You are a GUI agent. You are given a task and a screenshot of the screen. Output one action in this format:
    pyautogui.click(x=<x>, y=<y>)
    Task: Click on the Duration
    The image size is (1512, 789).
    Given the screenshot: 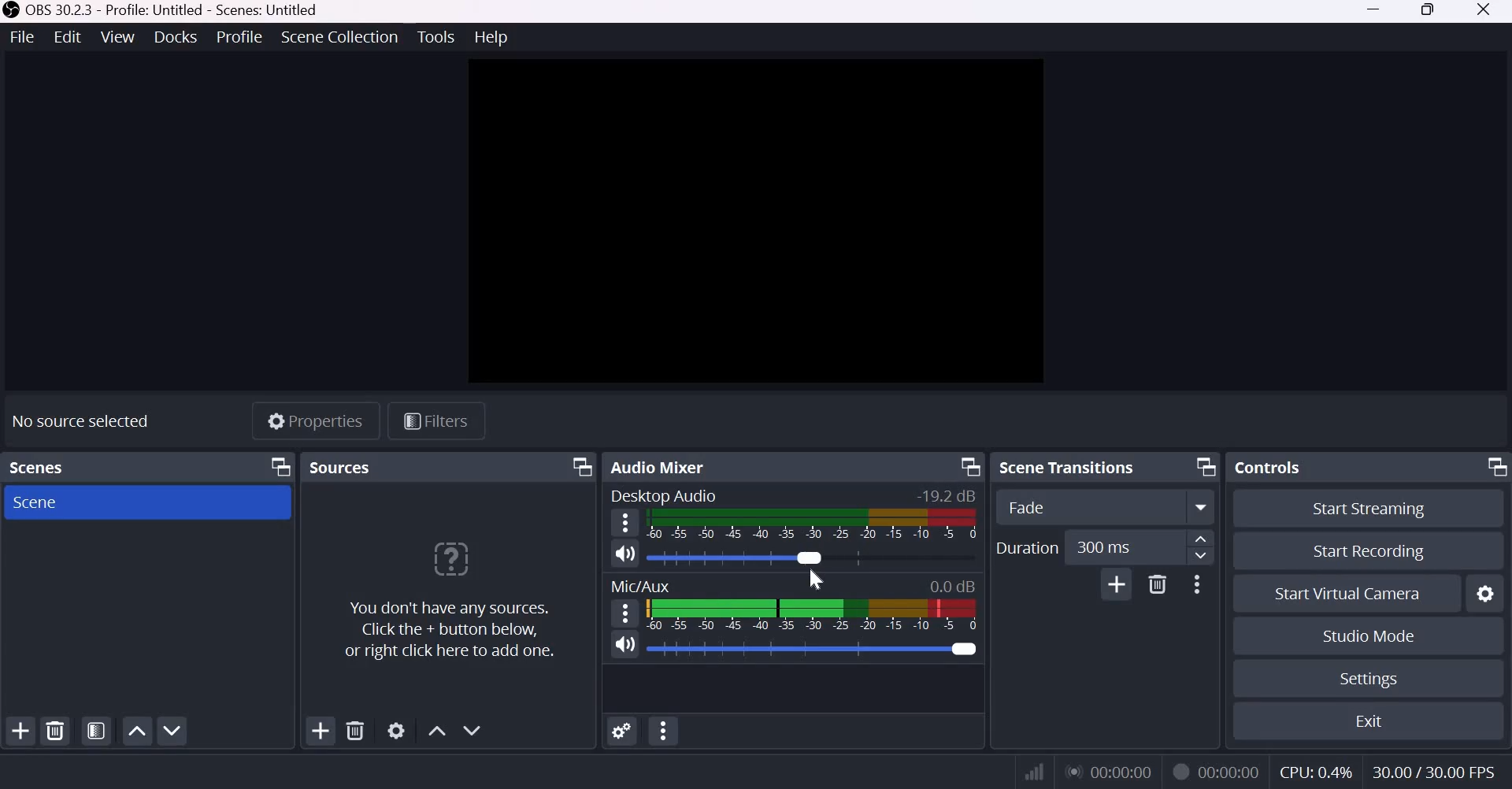 What is the action you would take?
    pyautogui.click(x=1026, y=548)
    